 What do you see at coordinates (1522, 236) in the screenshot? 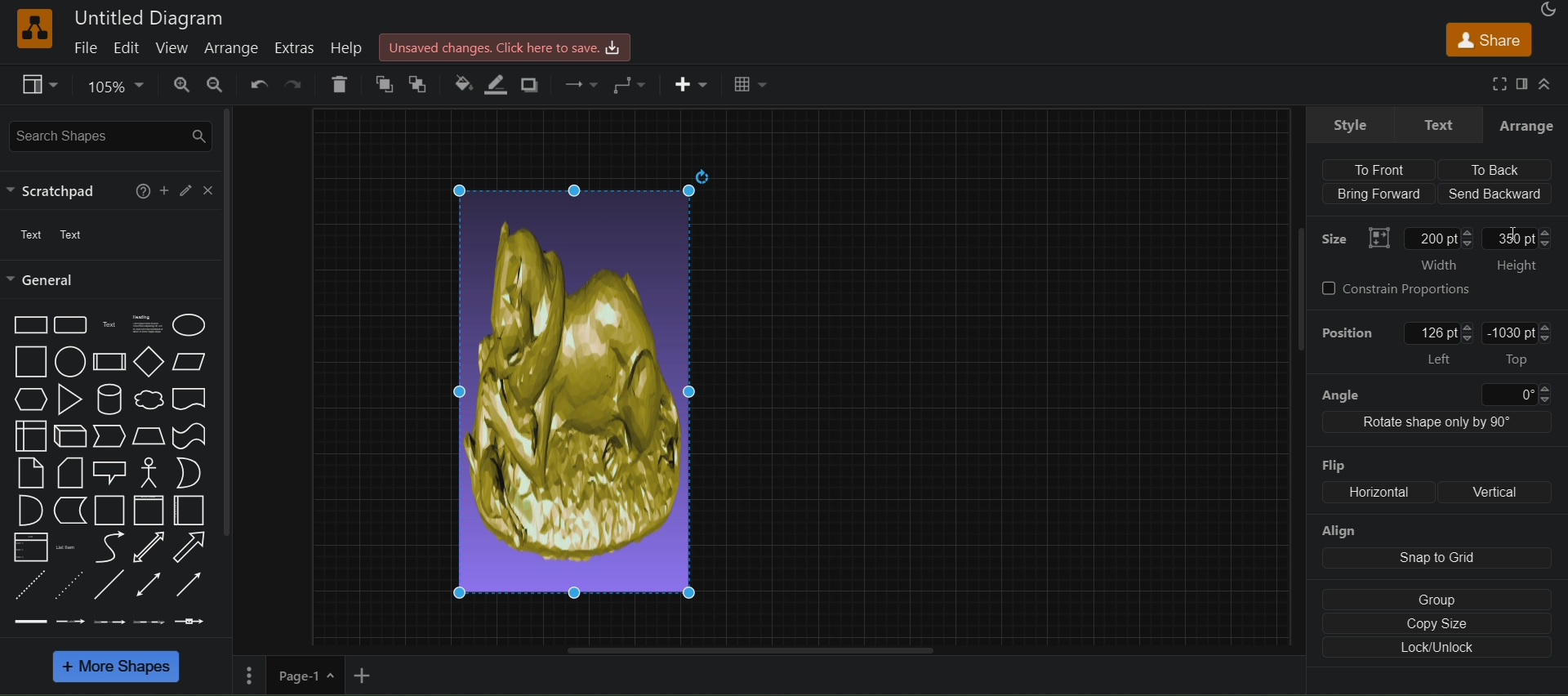
I see `350pt: Height` at bounding box center [1522, 236].